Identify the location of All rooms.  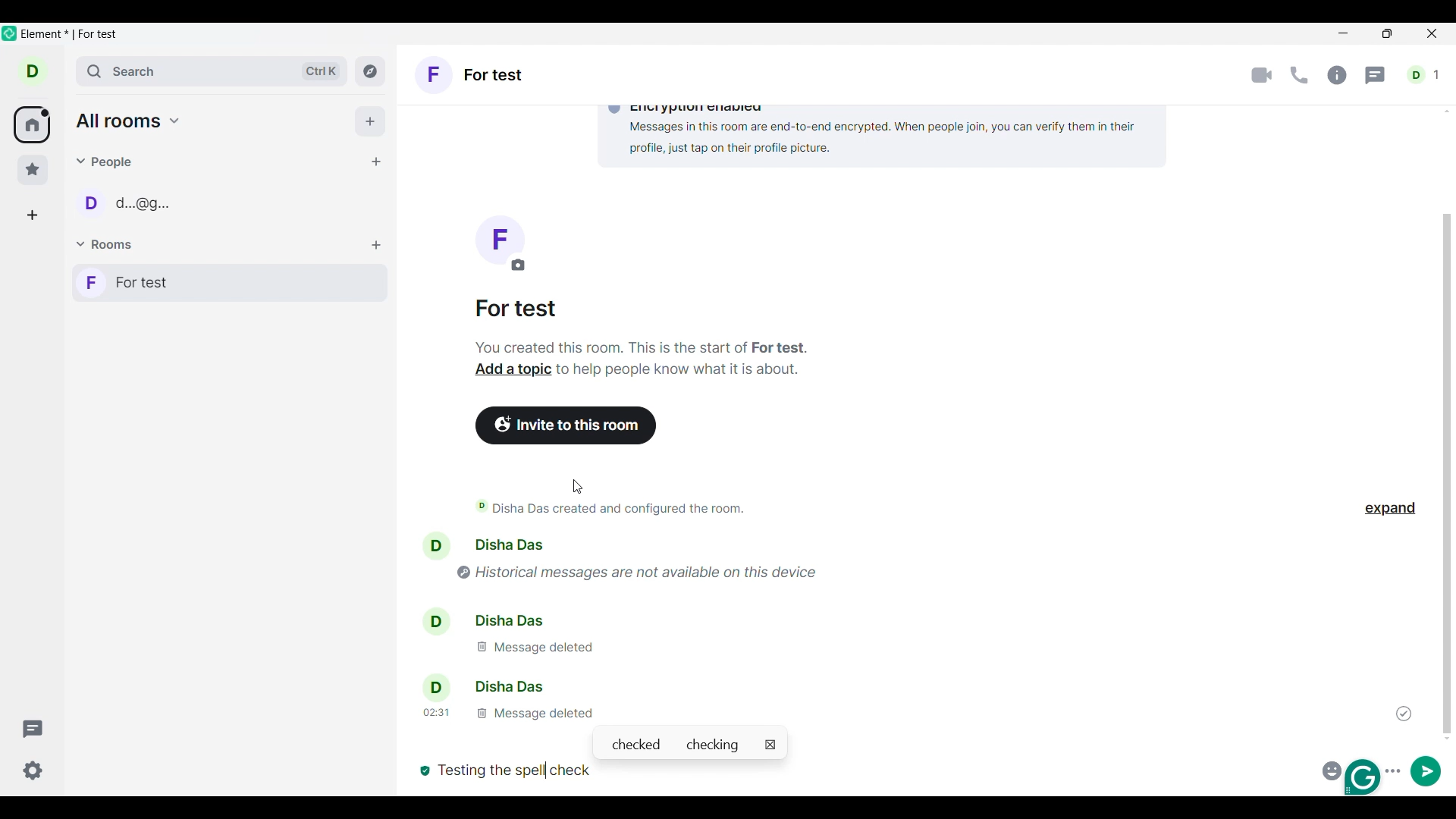
(32, 125).